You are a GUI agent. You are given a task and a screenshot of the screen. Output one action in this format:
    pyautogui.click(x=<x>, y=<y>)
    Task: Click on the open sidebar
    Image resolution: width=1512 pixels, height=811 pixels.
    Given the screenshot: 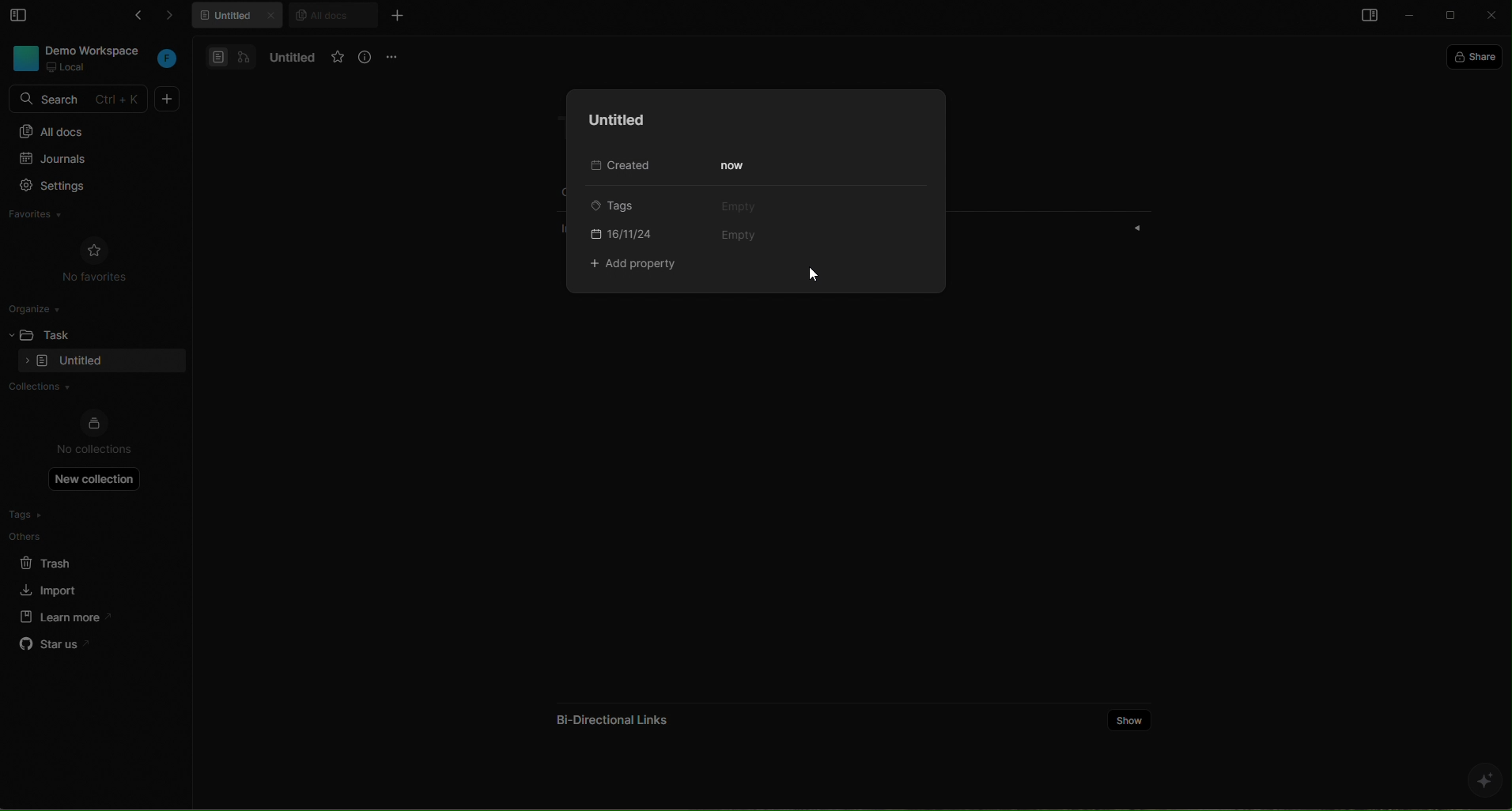 What is the action you would take?
    pyautogui.click(x=1366, y=17)
    